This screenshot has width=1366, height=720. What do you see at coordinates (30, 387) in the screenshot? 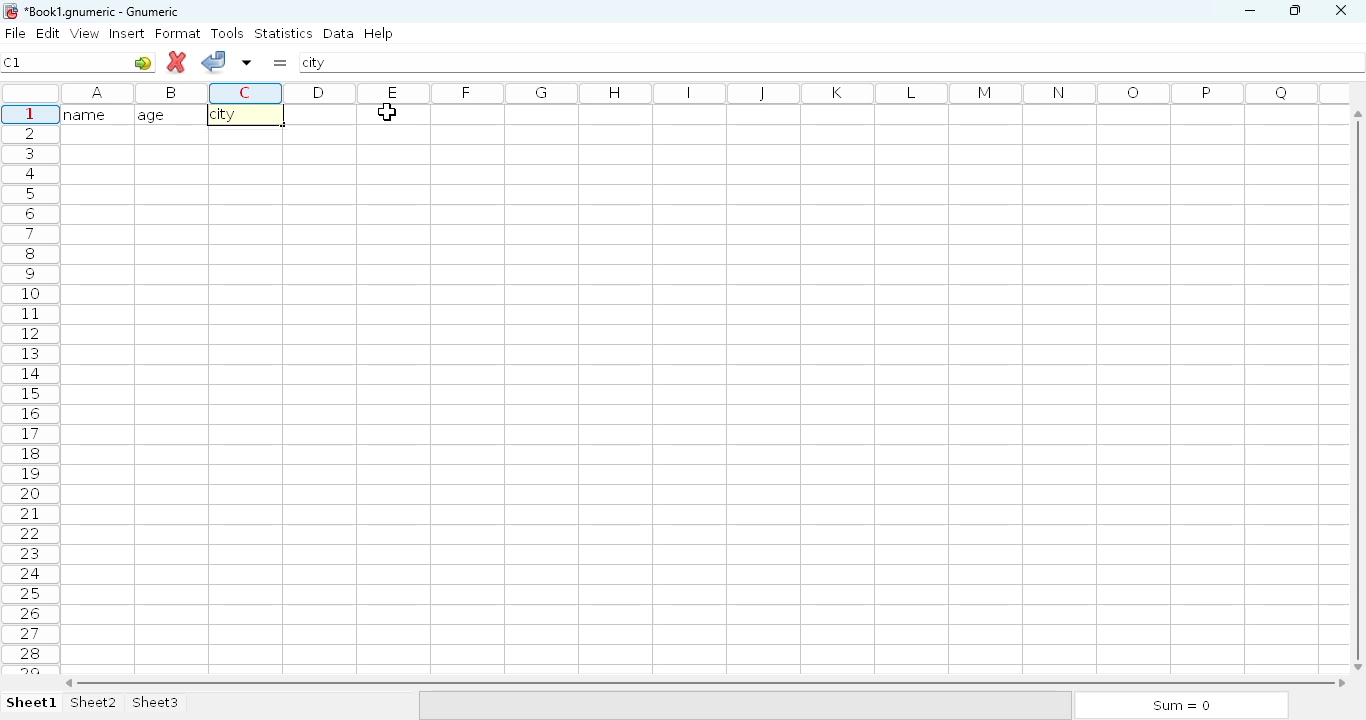
I see `rows` at bounding box center [30, 387].